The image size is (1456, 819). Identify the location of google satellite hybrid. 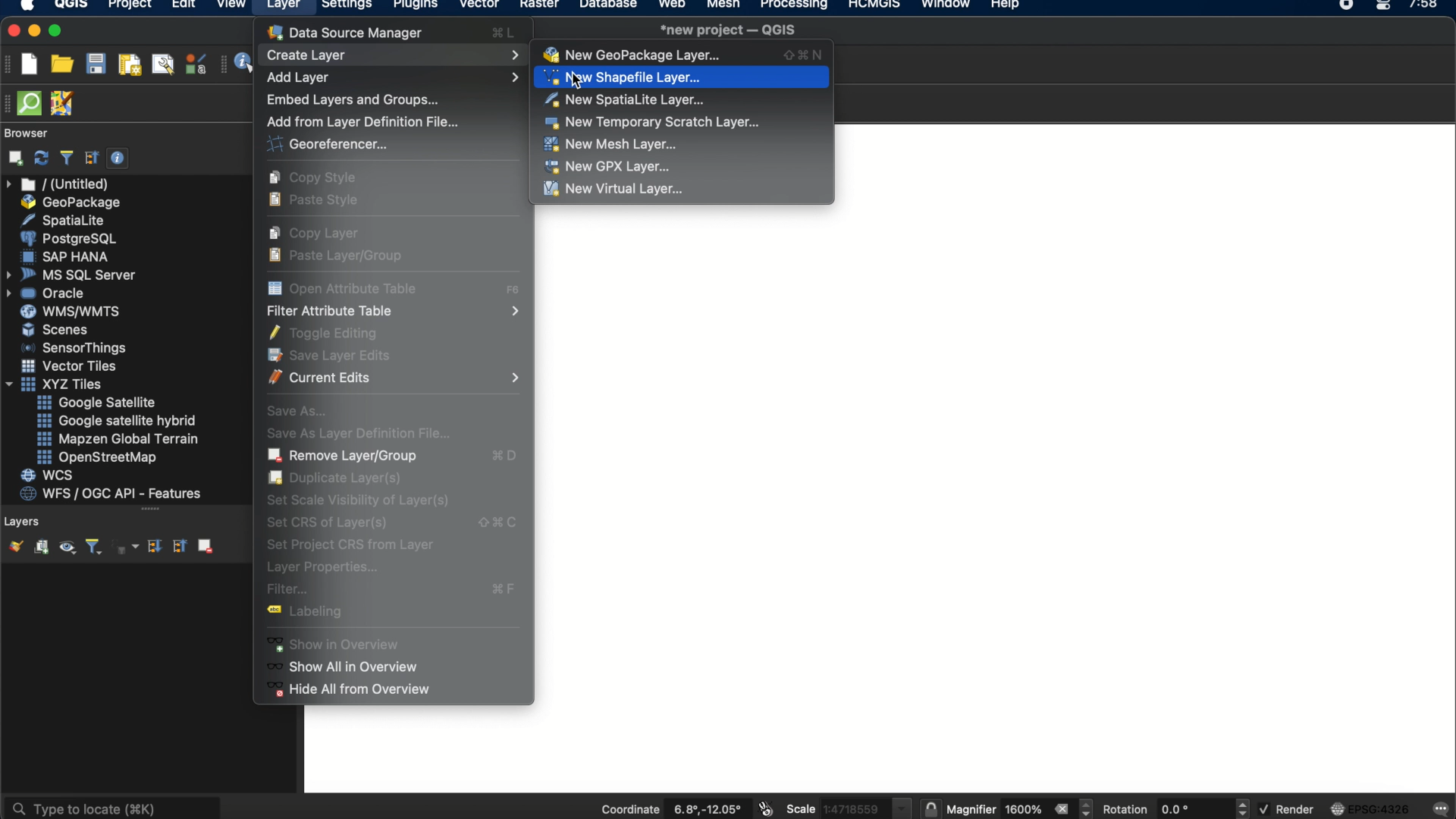
(118, 421).